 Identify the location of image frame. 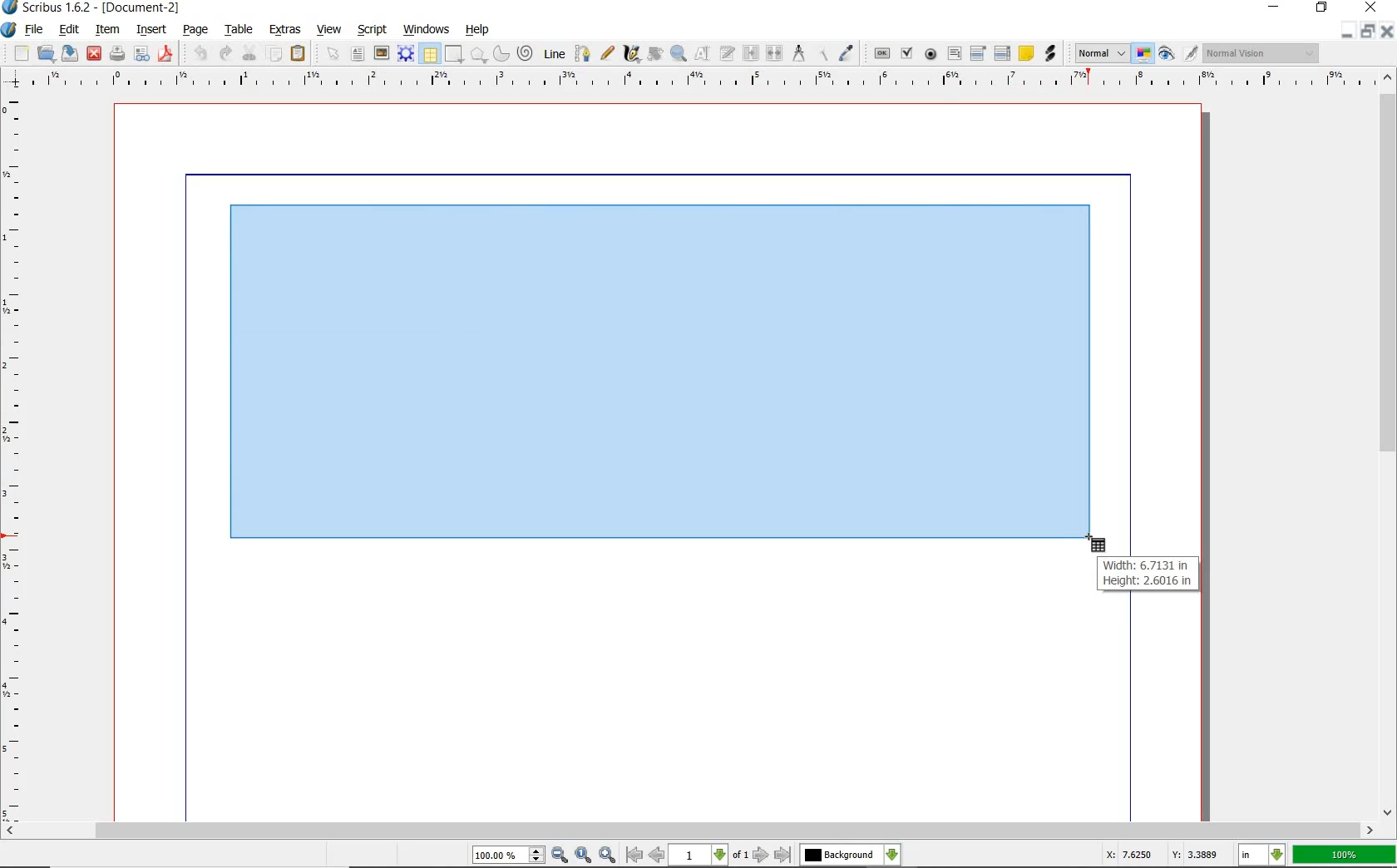
(380, 54).